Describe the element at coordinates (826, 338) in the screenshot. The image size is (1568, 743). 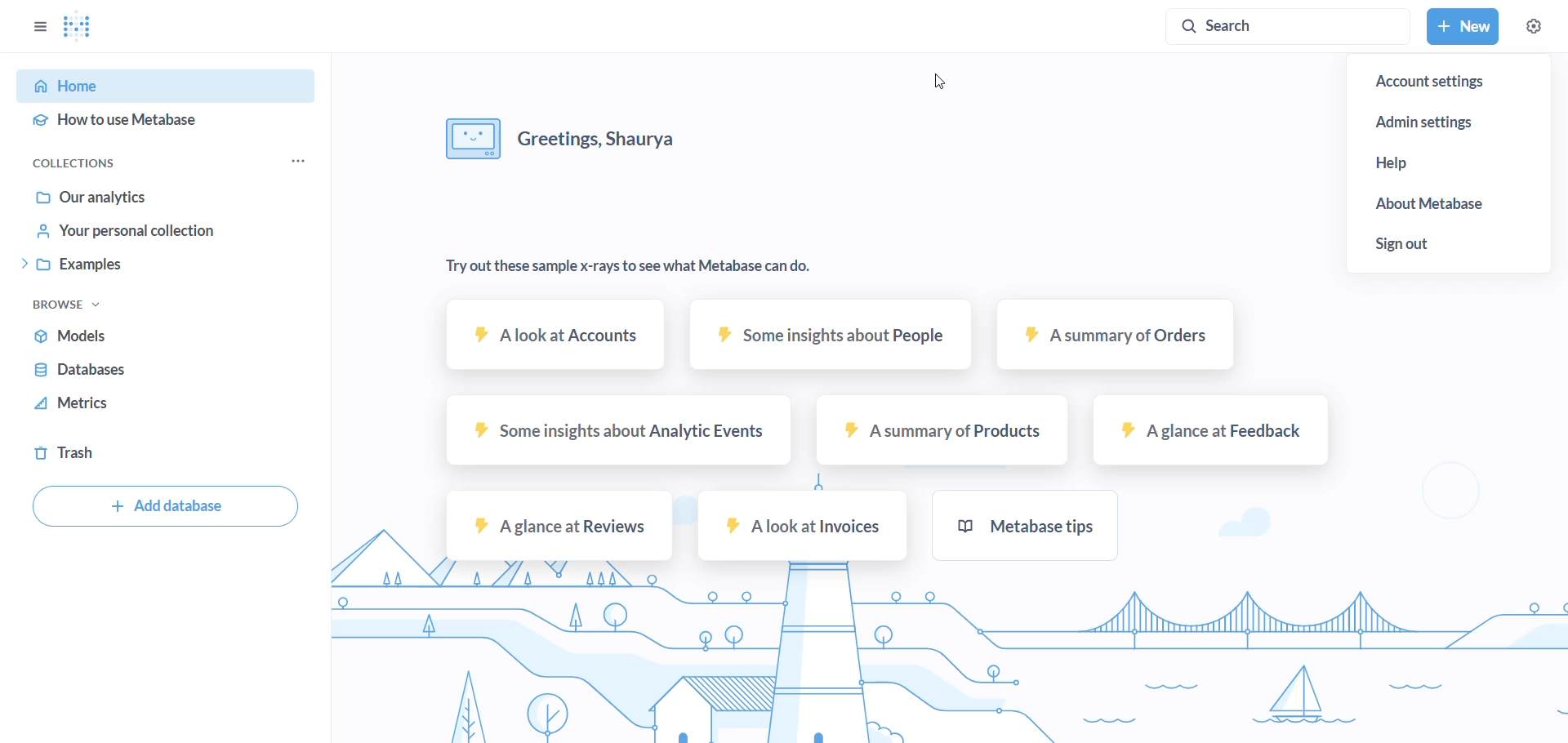
I see `some insights about people sample` at that location.